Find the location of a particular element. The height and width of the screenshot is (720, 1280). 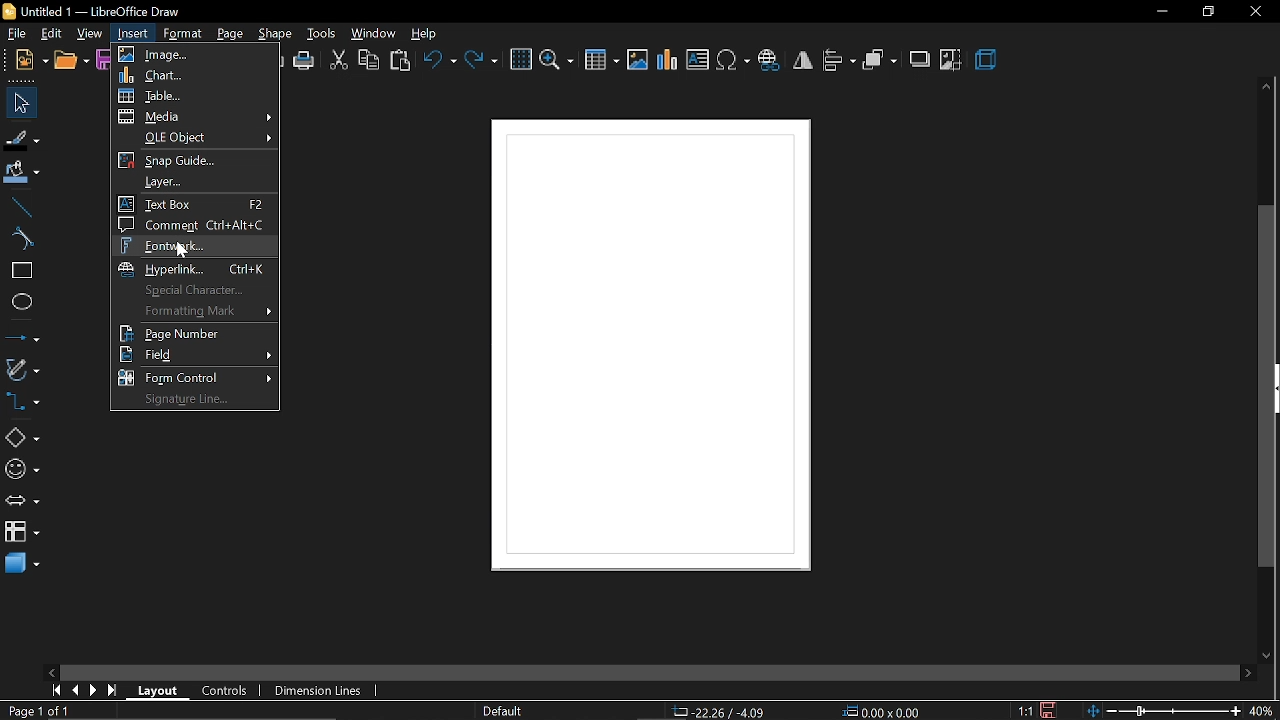

field is located at coordinates (199, 354).